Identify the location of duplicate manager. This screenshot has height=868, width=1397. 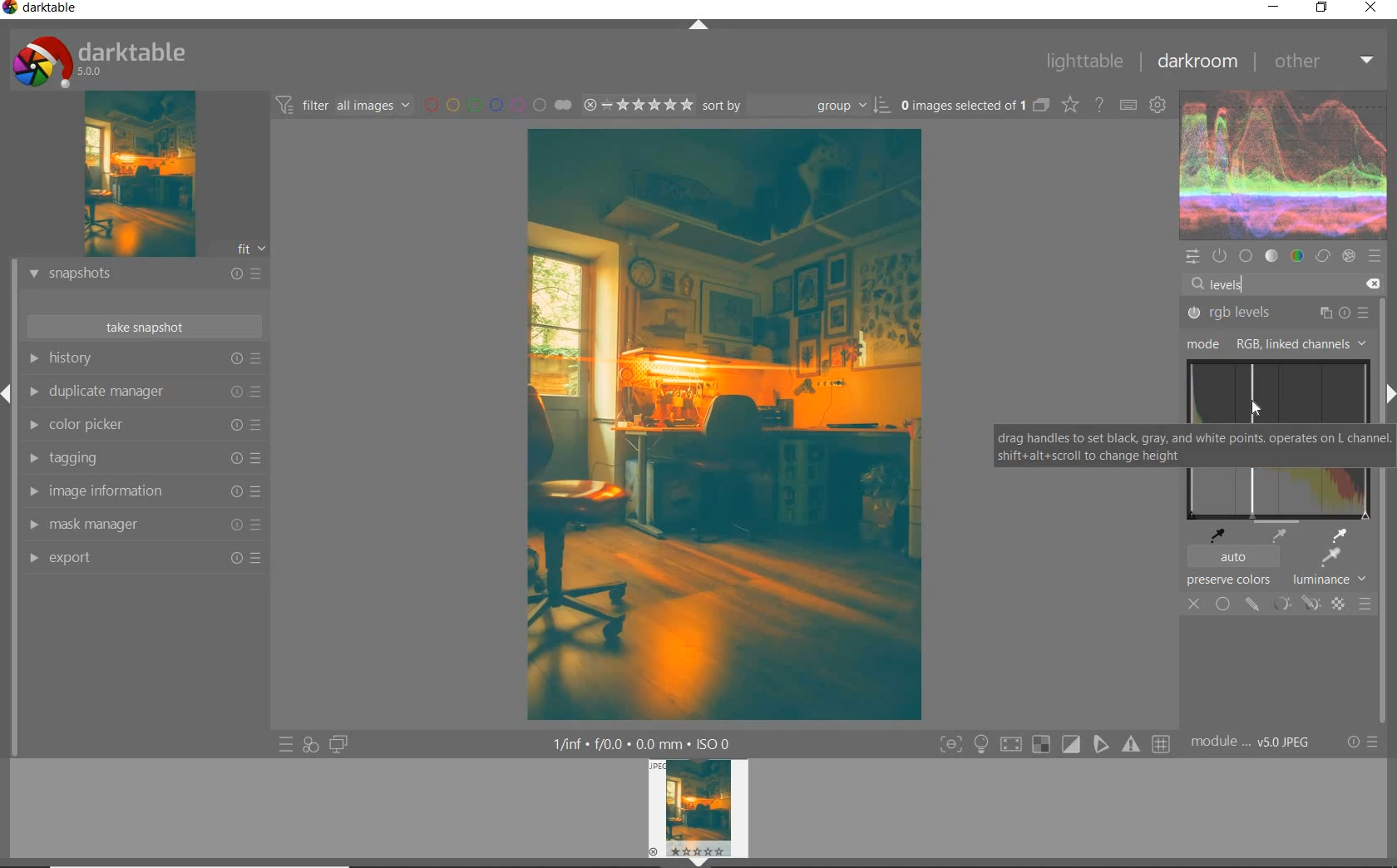
(143, 392).